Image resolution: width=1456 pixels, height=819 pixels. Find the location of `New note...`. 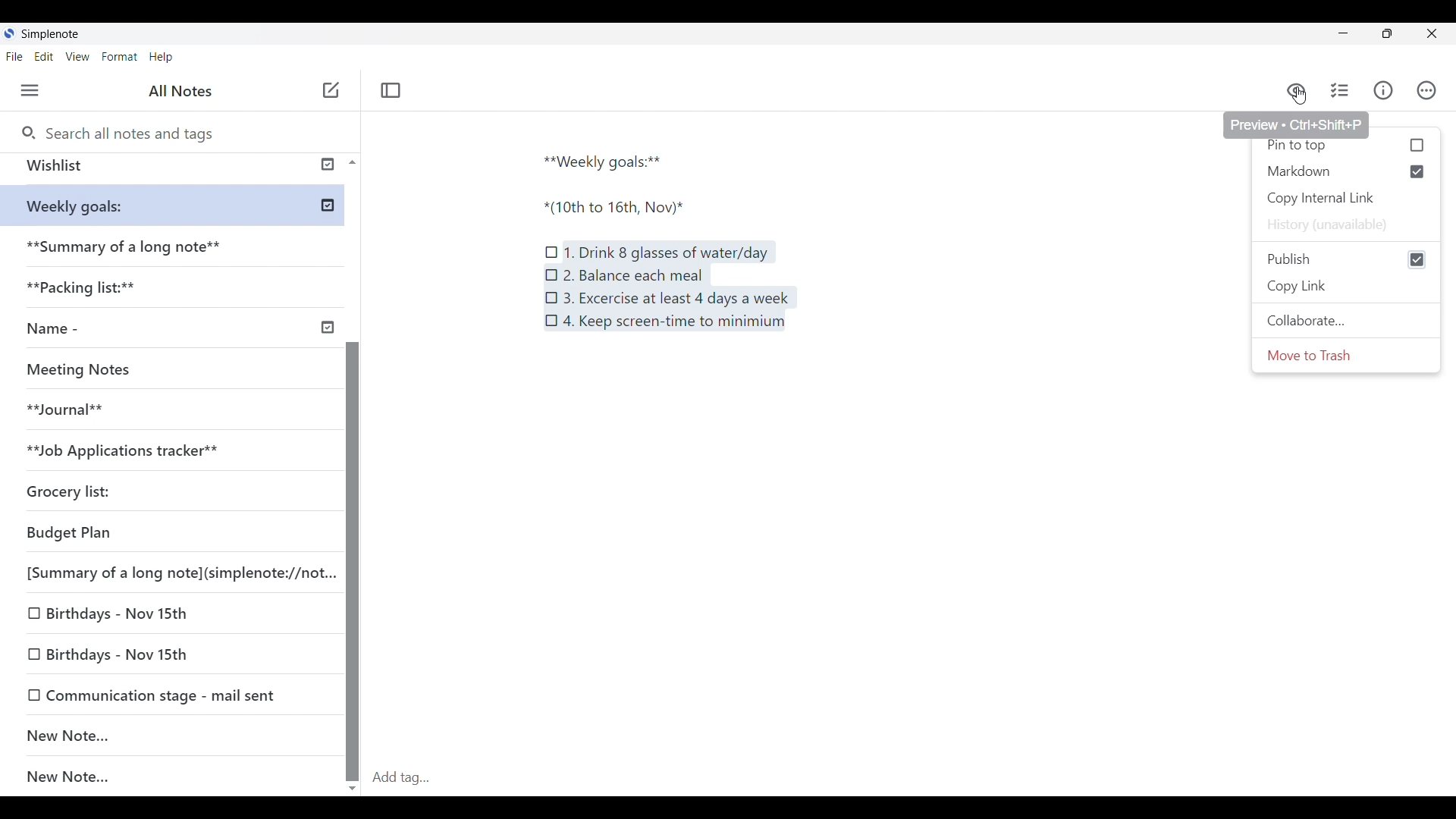

New note... is located at coordinates (180, 777).